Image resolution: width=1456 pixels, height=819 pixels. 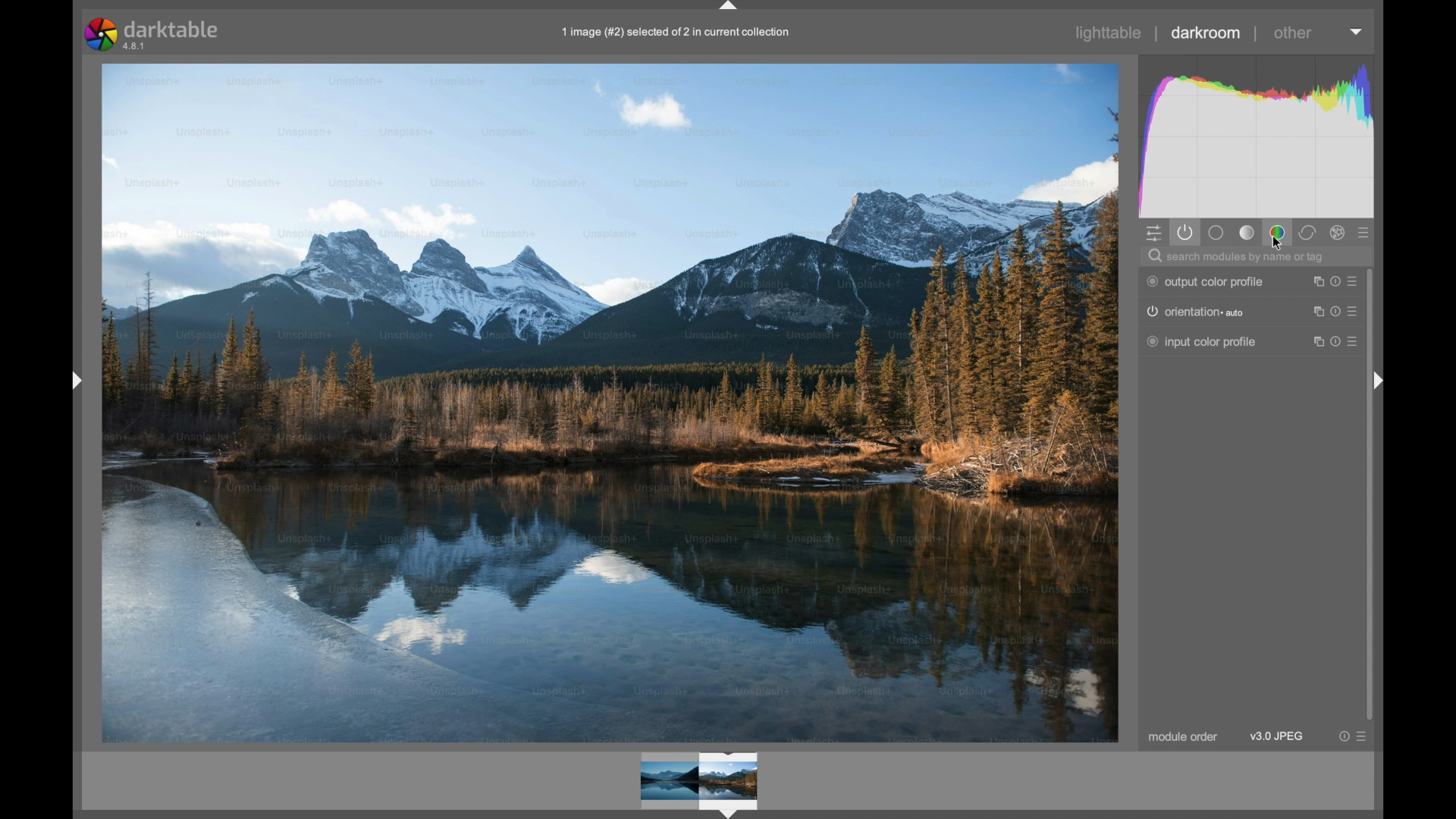 I want to click on separator, so click(x=1156, y=34).